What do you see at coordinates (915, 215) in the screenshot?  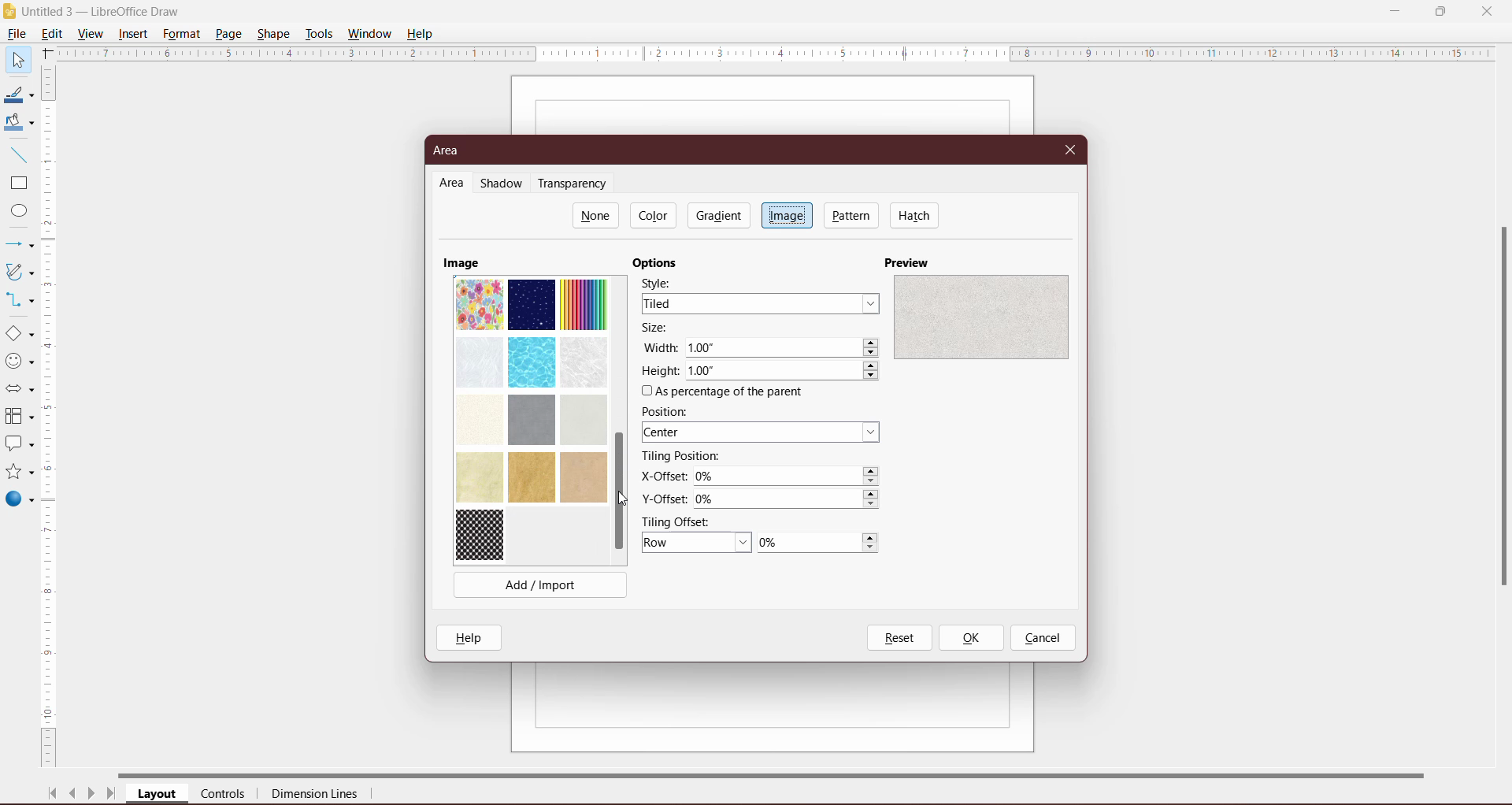 I see `Hatch` at bounding box center [915, 215].